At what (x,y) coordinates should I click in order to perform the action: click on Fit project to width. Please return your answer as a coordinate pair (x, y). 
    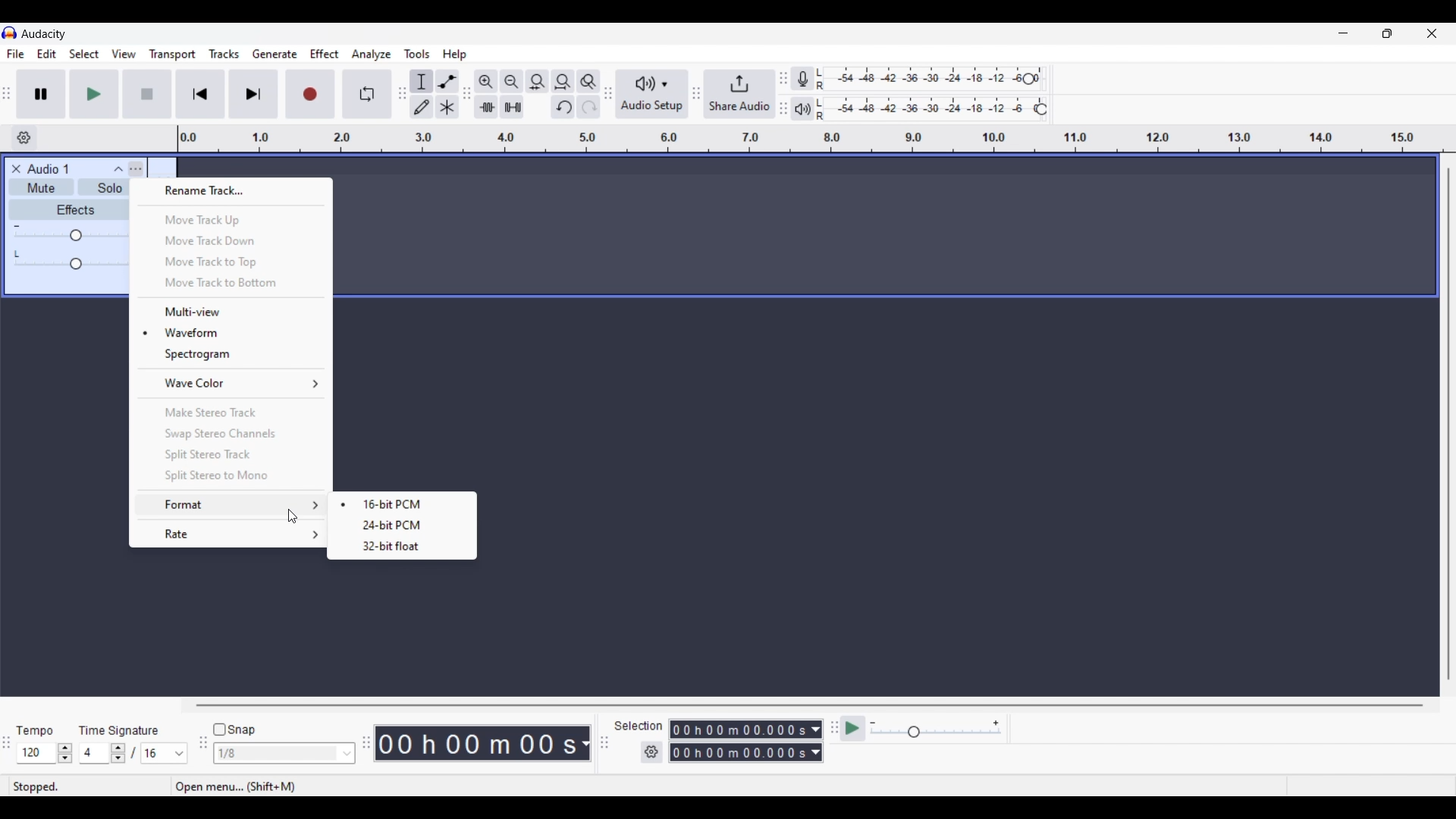
    Looking at the image, I should click on (563, 81).